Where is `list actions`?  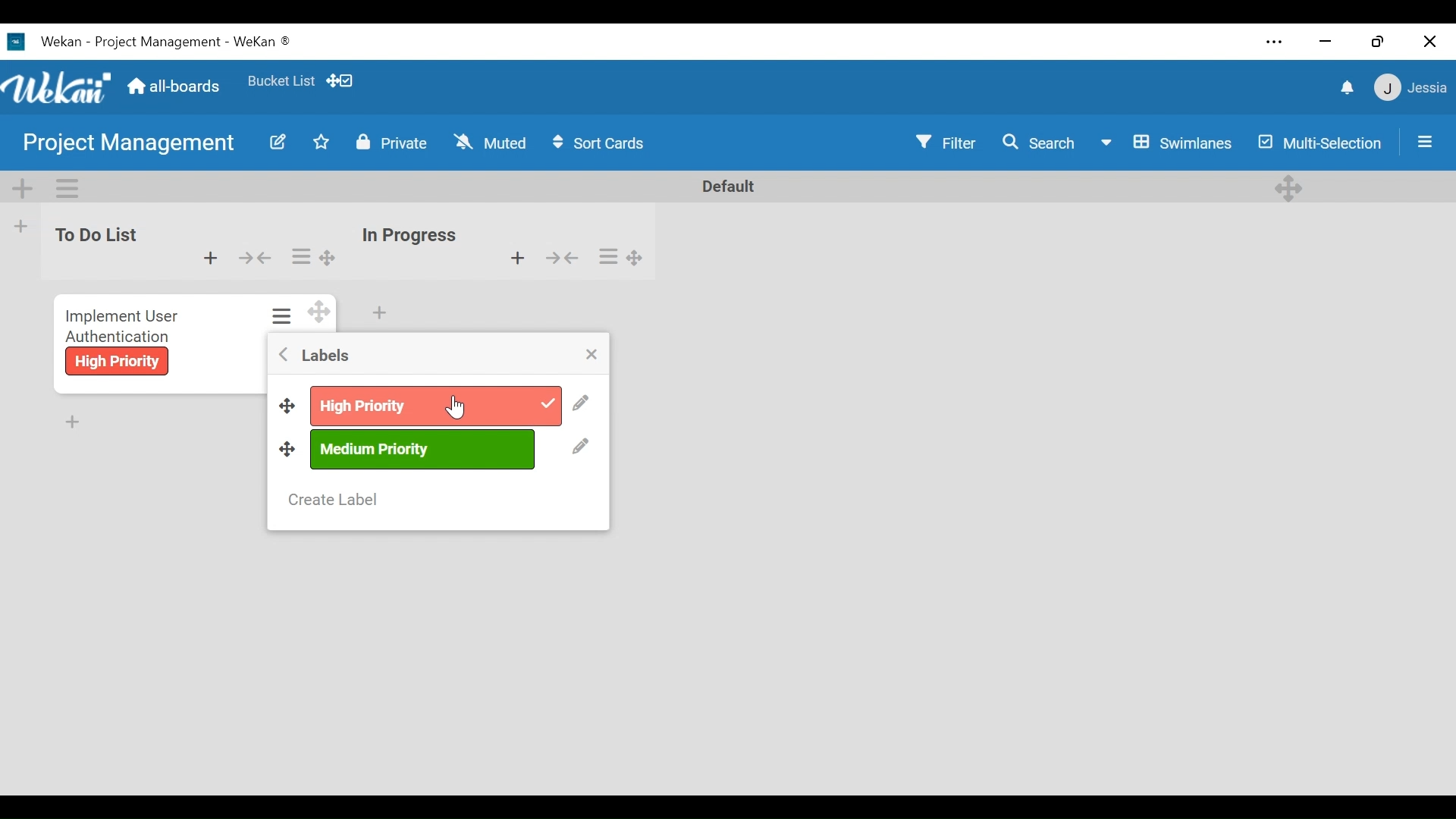 list actions is located at coordinates (610, 257).